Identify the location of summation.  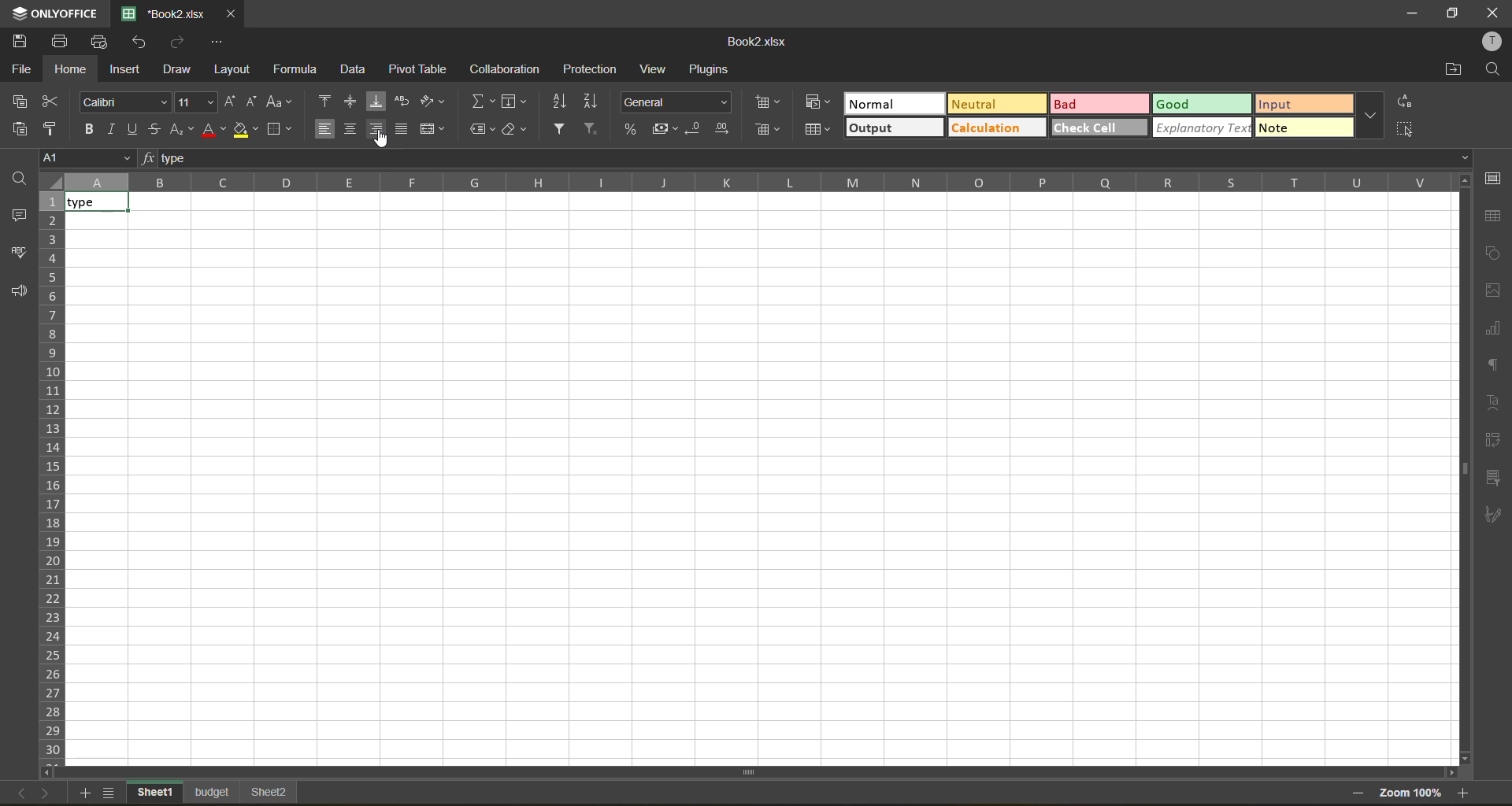
(481, 100).